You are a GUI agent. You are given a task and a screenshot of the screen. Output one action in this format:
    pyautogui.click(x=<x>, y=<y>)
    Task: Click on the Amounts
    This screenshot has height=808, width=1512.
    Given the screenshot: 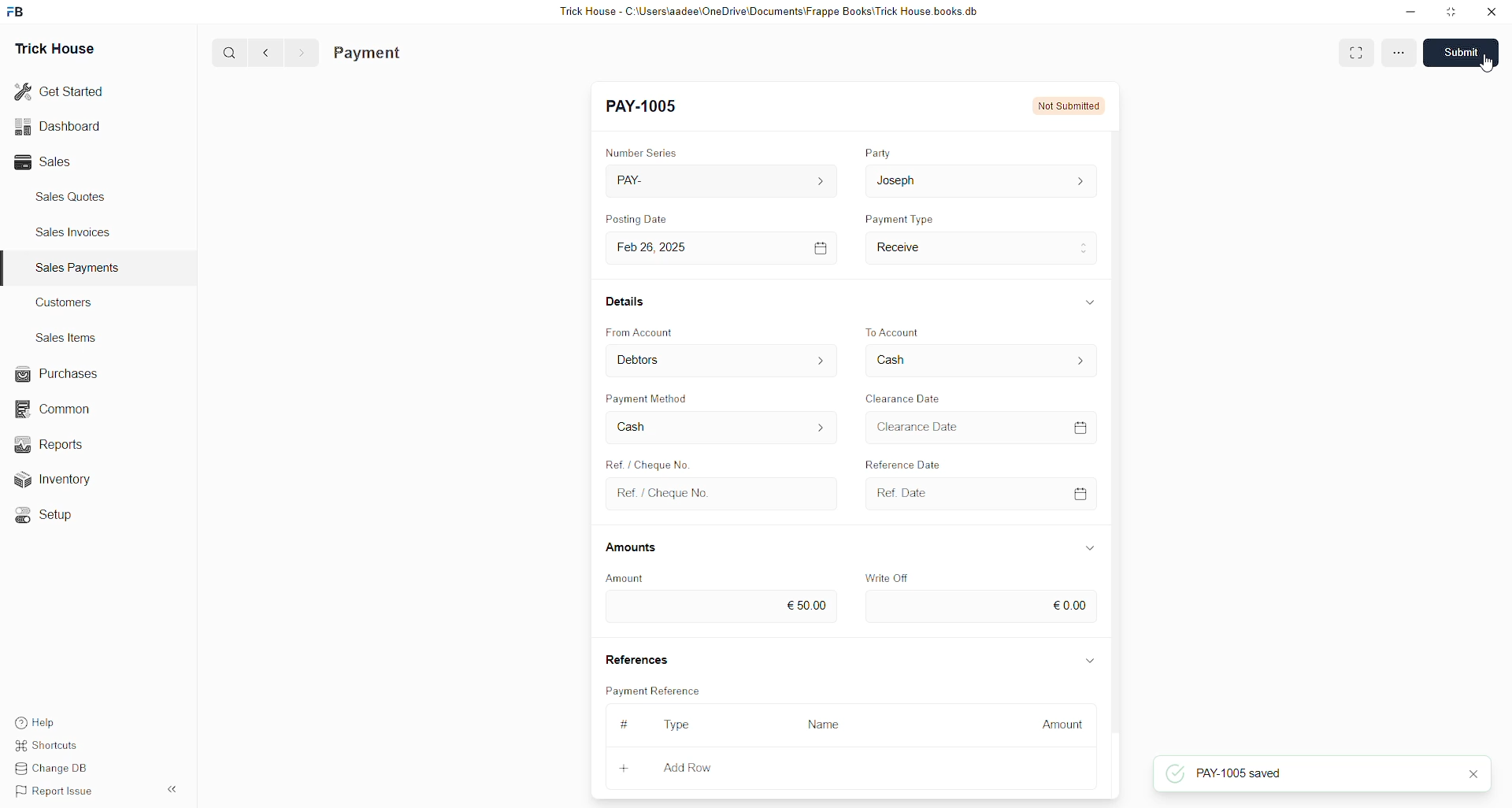 What is the action you would take?
    pyautogui.click(x=632, y=548)
    